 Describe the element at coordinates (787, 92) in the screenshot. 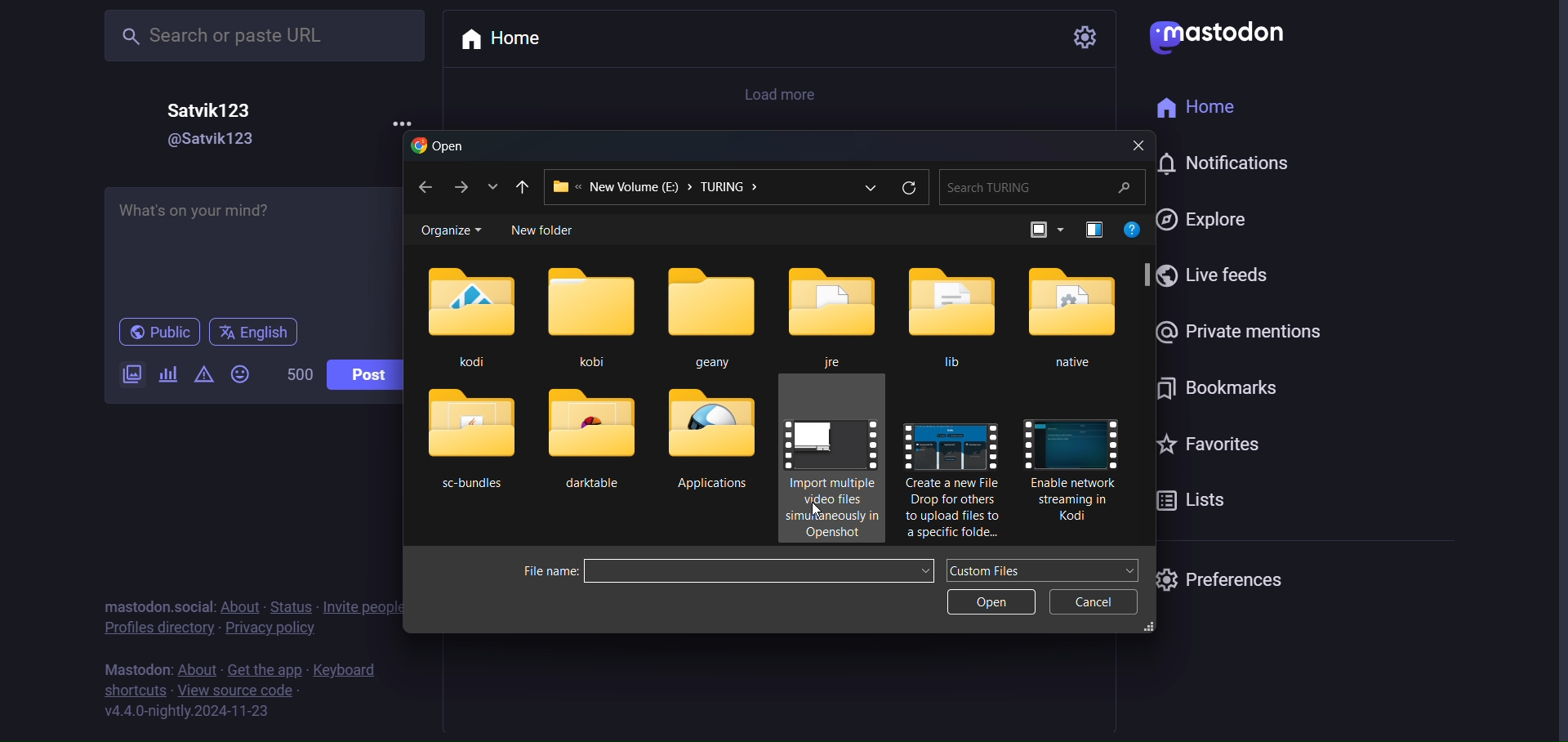

I see `load more` at that location.